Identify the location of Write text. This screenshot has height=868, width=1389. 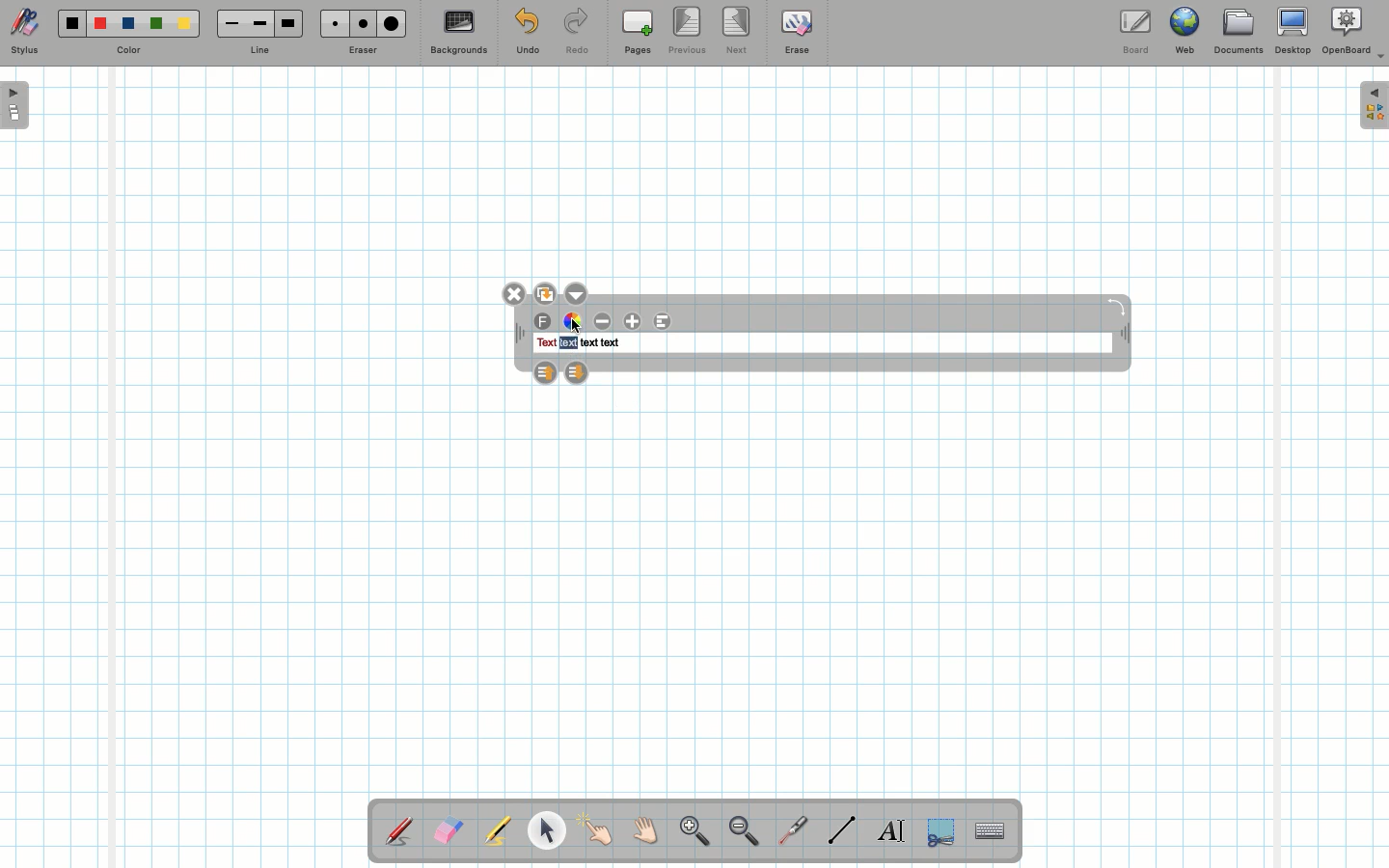
(893, 827).